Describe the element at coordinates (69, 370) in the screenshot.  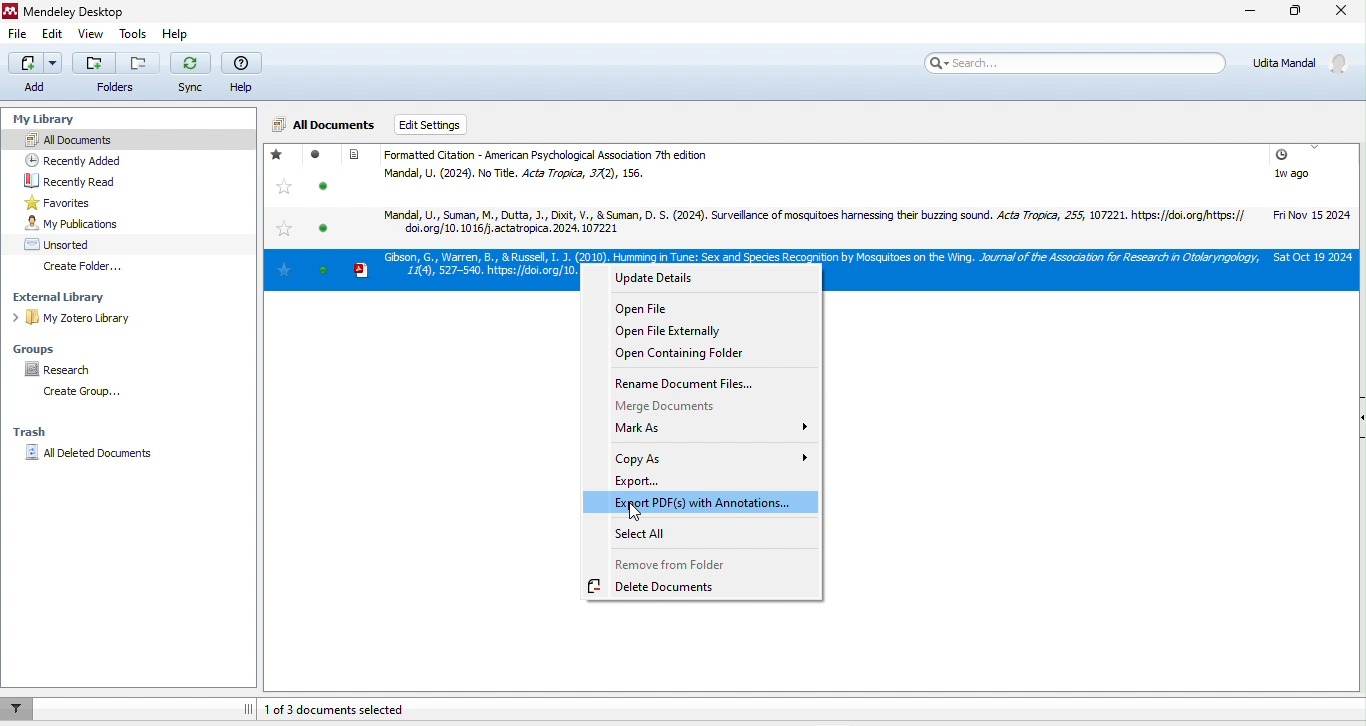
I see `research` at that location.